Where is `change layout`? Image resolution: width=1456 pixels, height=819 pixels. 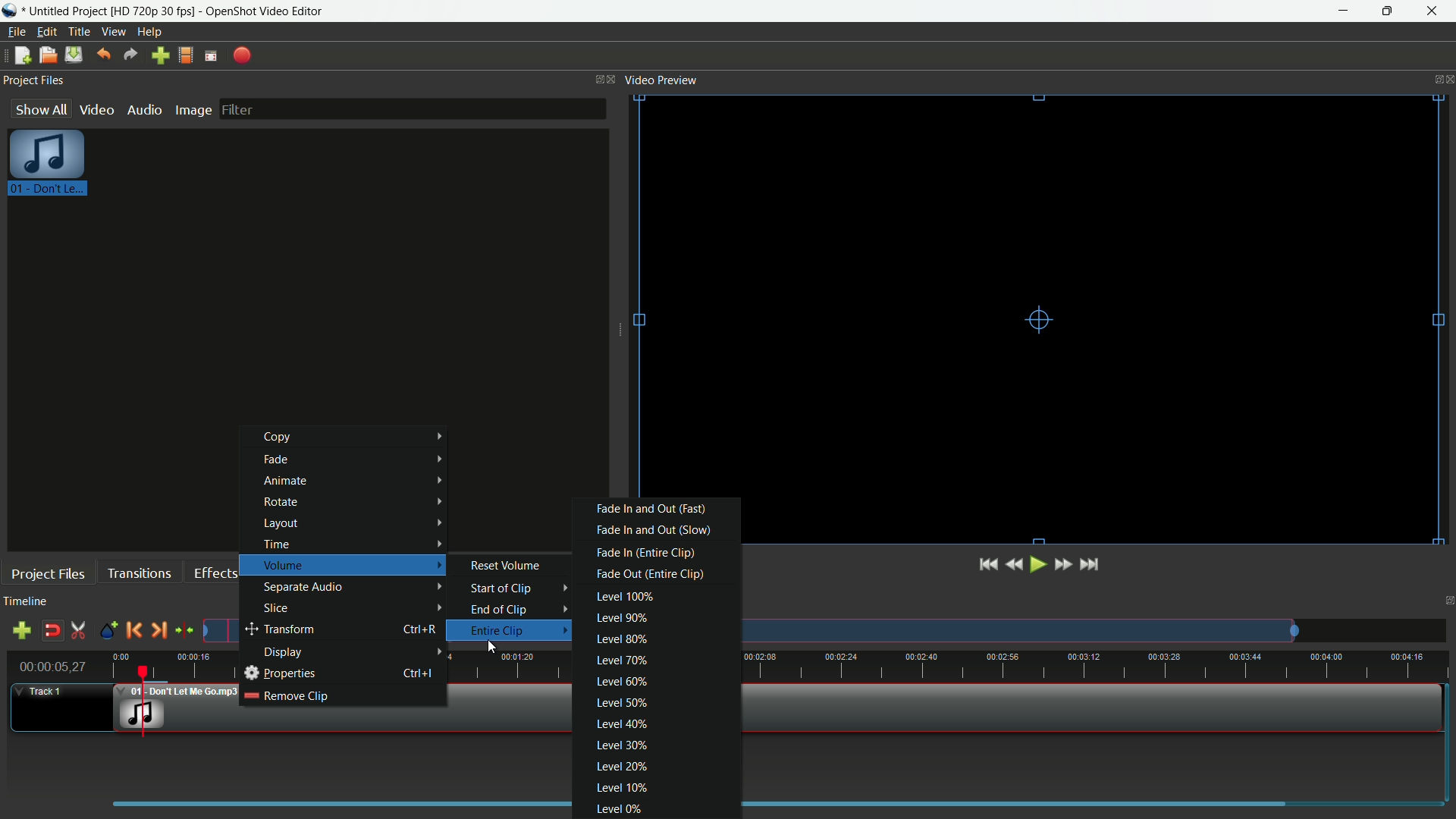
change layout is located at coordinates (595, 78).